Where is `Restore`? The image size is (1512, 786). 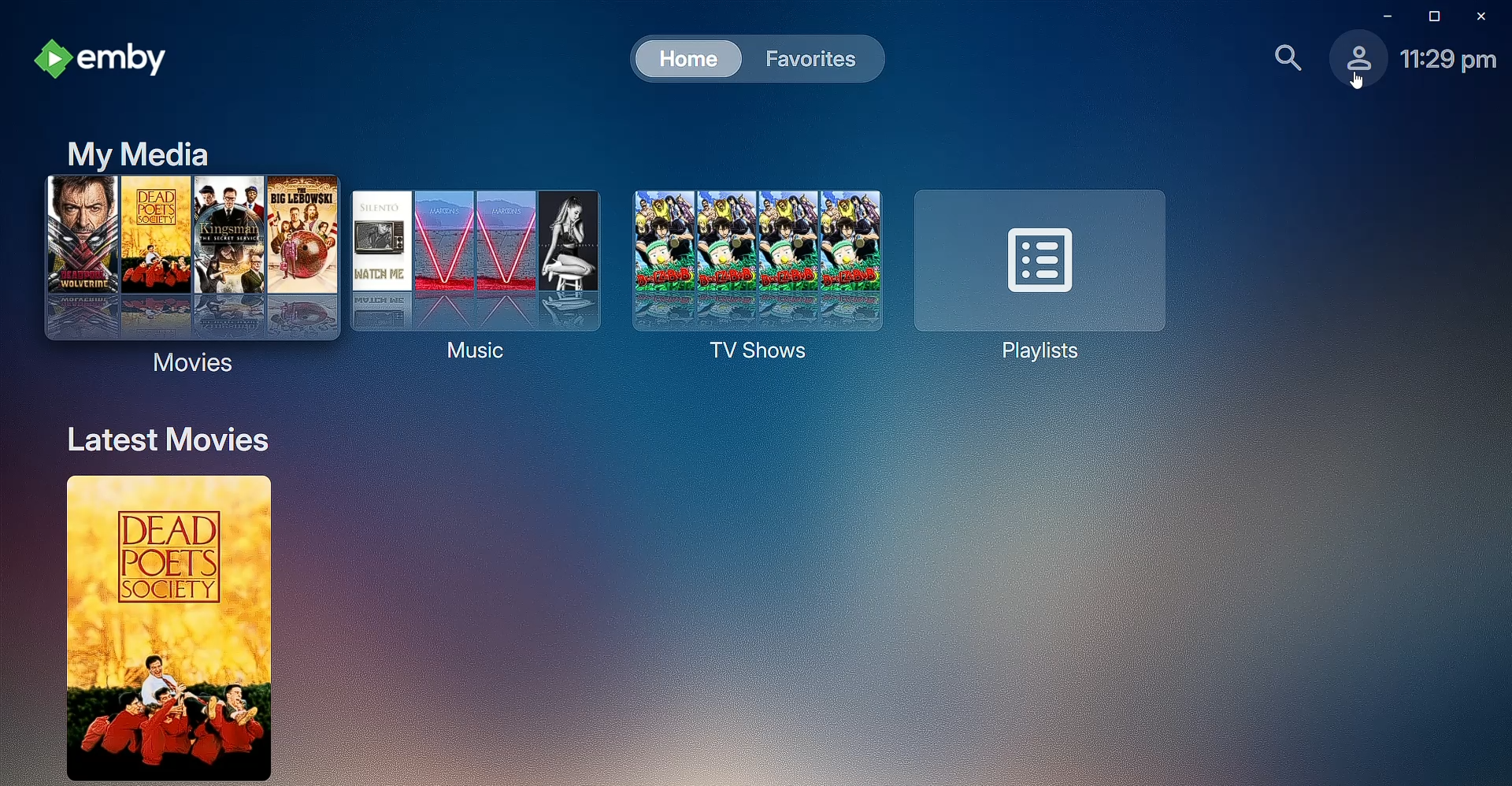
Restore is located at coordinates (1430, 16).